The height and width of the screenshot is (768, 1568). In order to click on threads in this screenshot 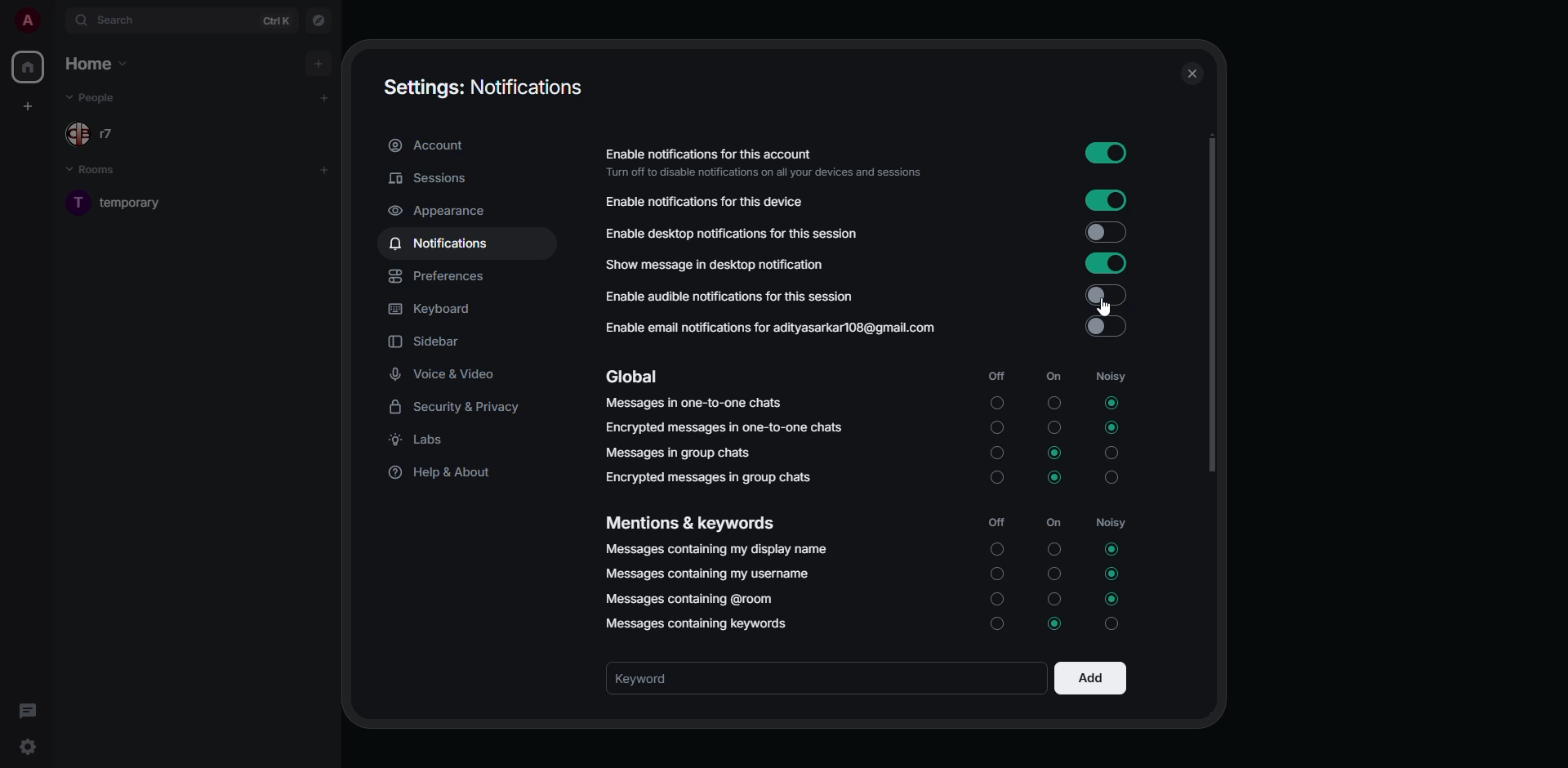, I will do `click(26, 708)`.